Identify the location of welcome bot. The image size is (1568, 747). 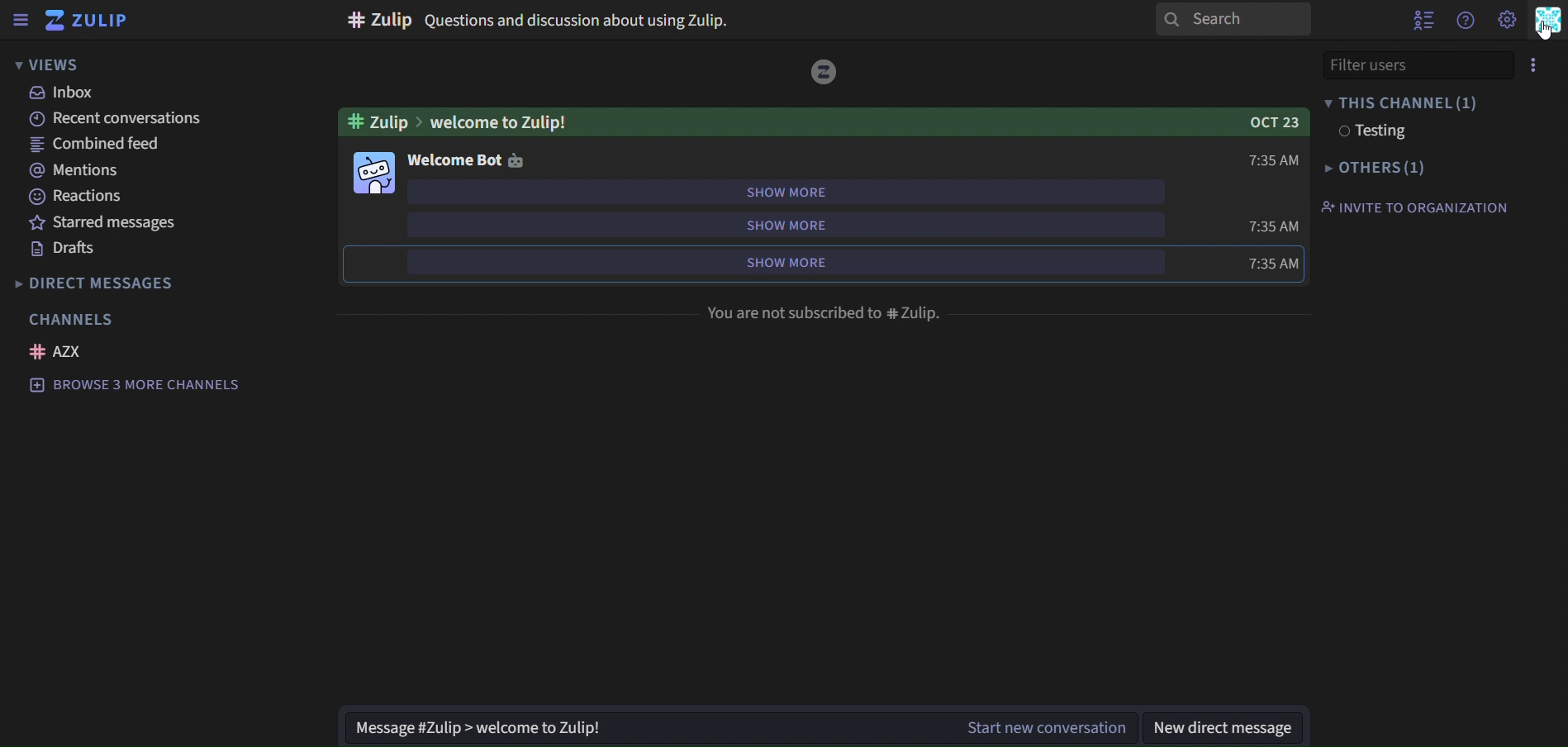
(469, 159).